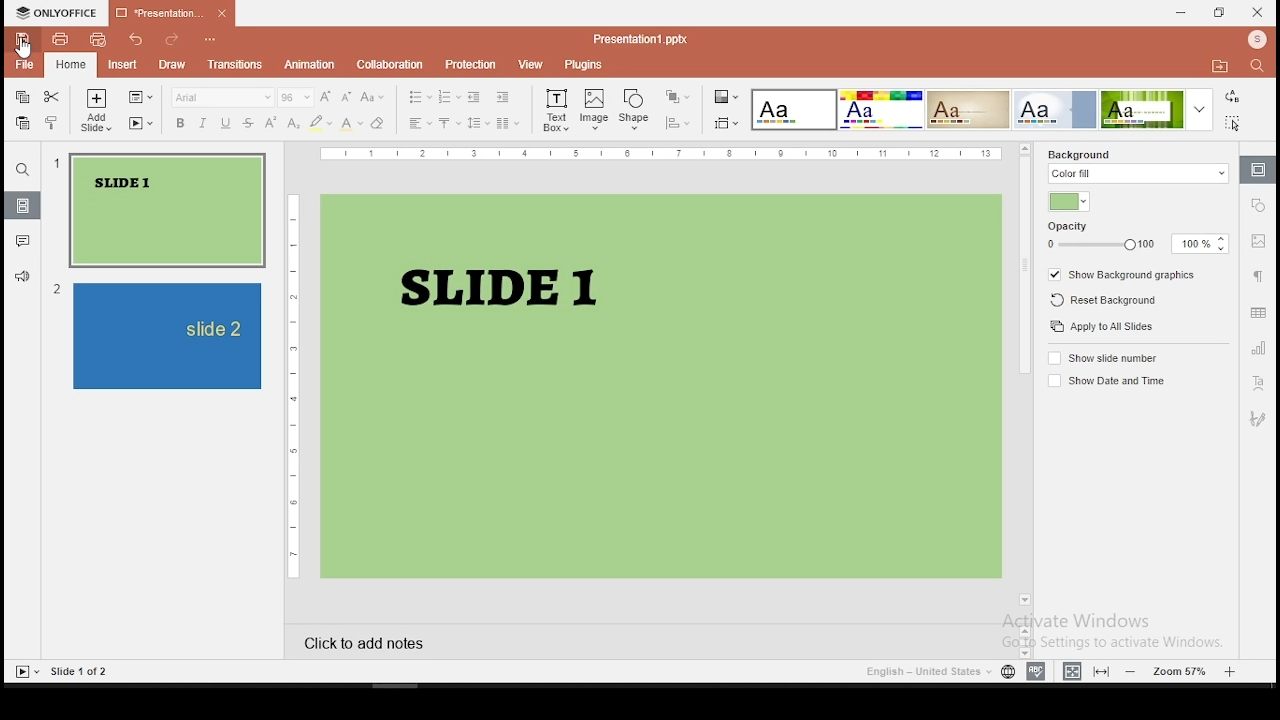  Describe the element at coordinates (880, 109) in the screenshot. I see `select color theme` at that location.